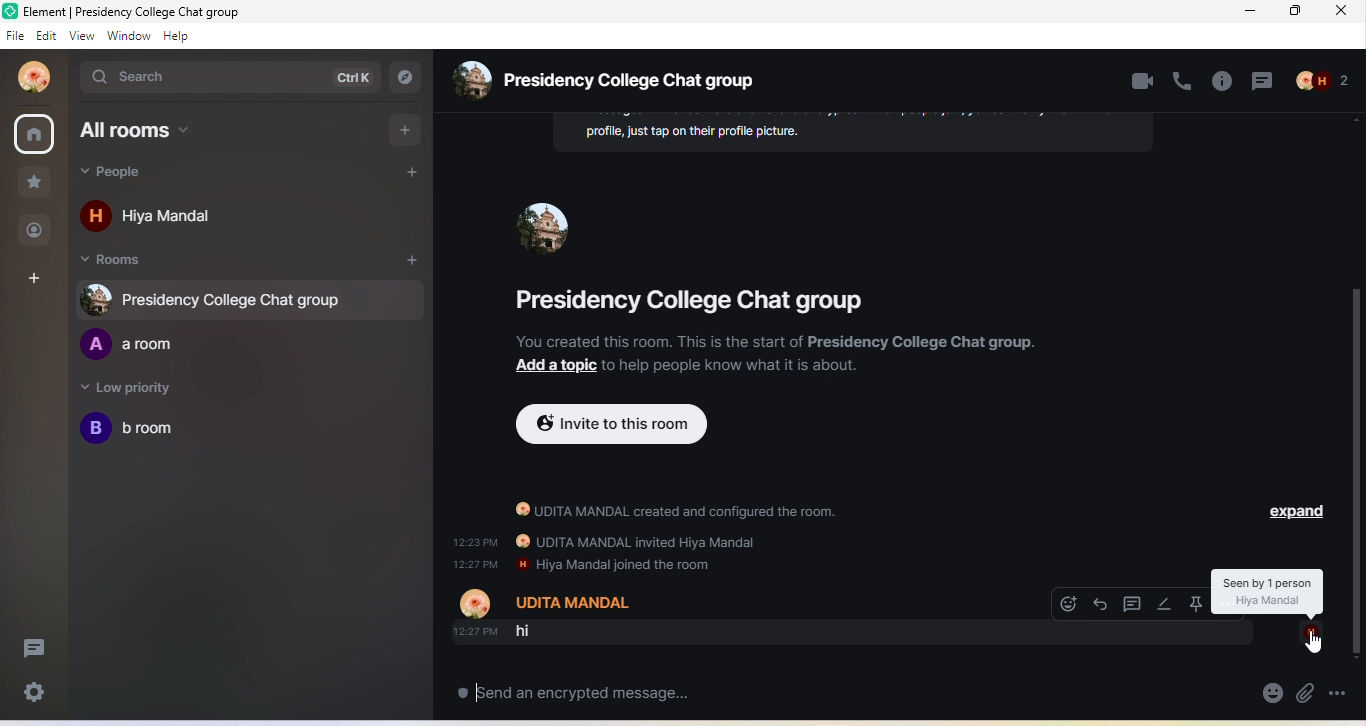  Describe the element at coordinates (179, 36) in the screenshot. I see `help` at that location.